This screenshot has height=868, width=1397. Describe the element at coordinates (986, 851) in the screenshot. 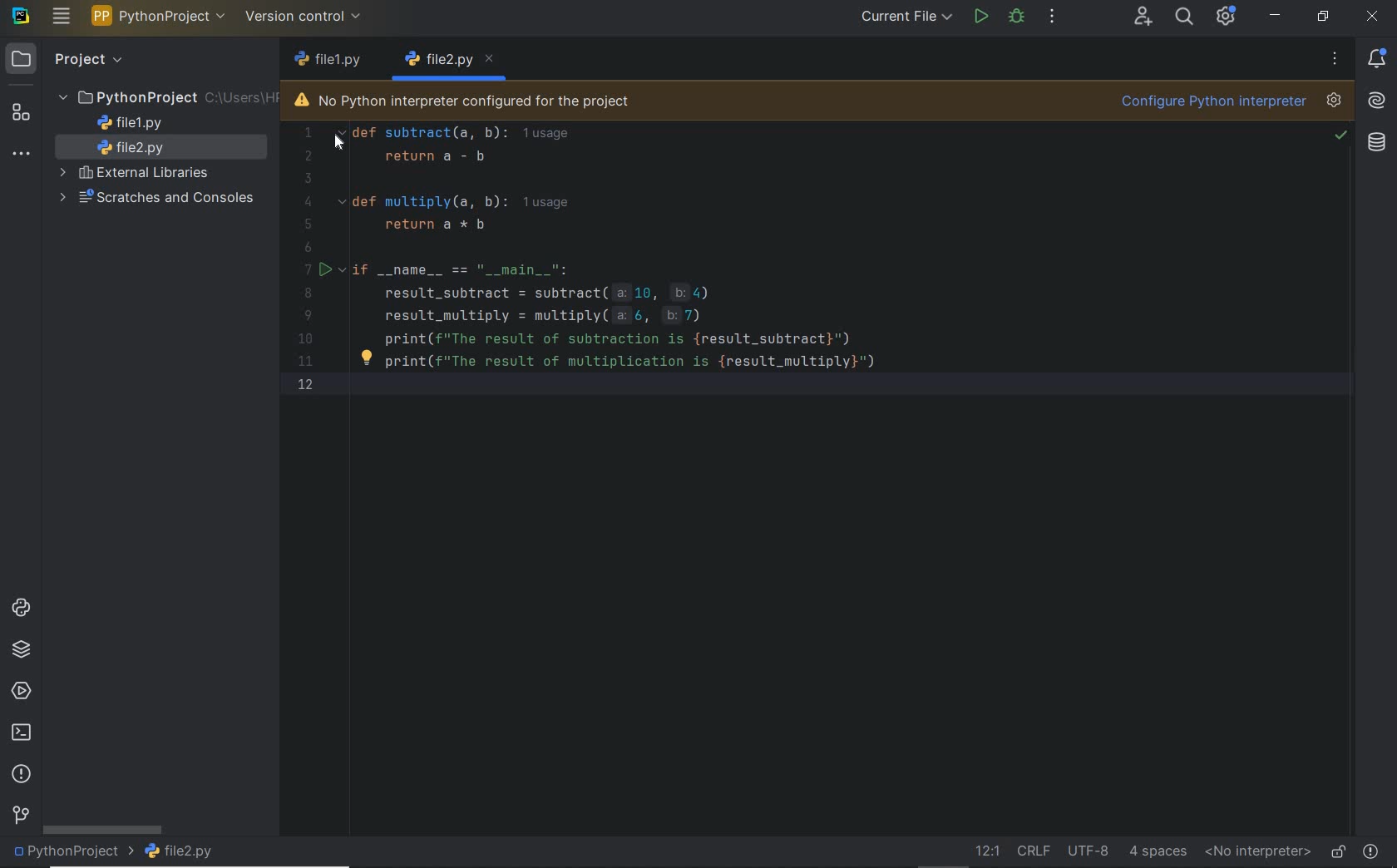

I see `go to line` at that location.